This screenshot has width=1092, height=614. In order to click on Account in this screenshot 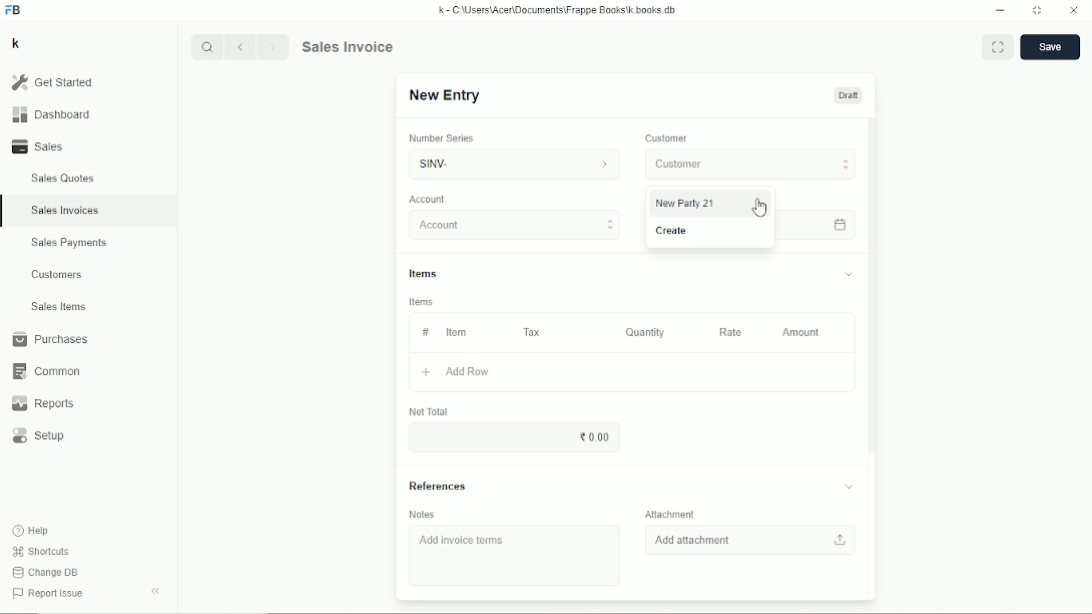, I will do `click(428, 199)`.